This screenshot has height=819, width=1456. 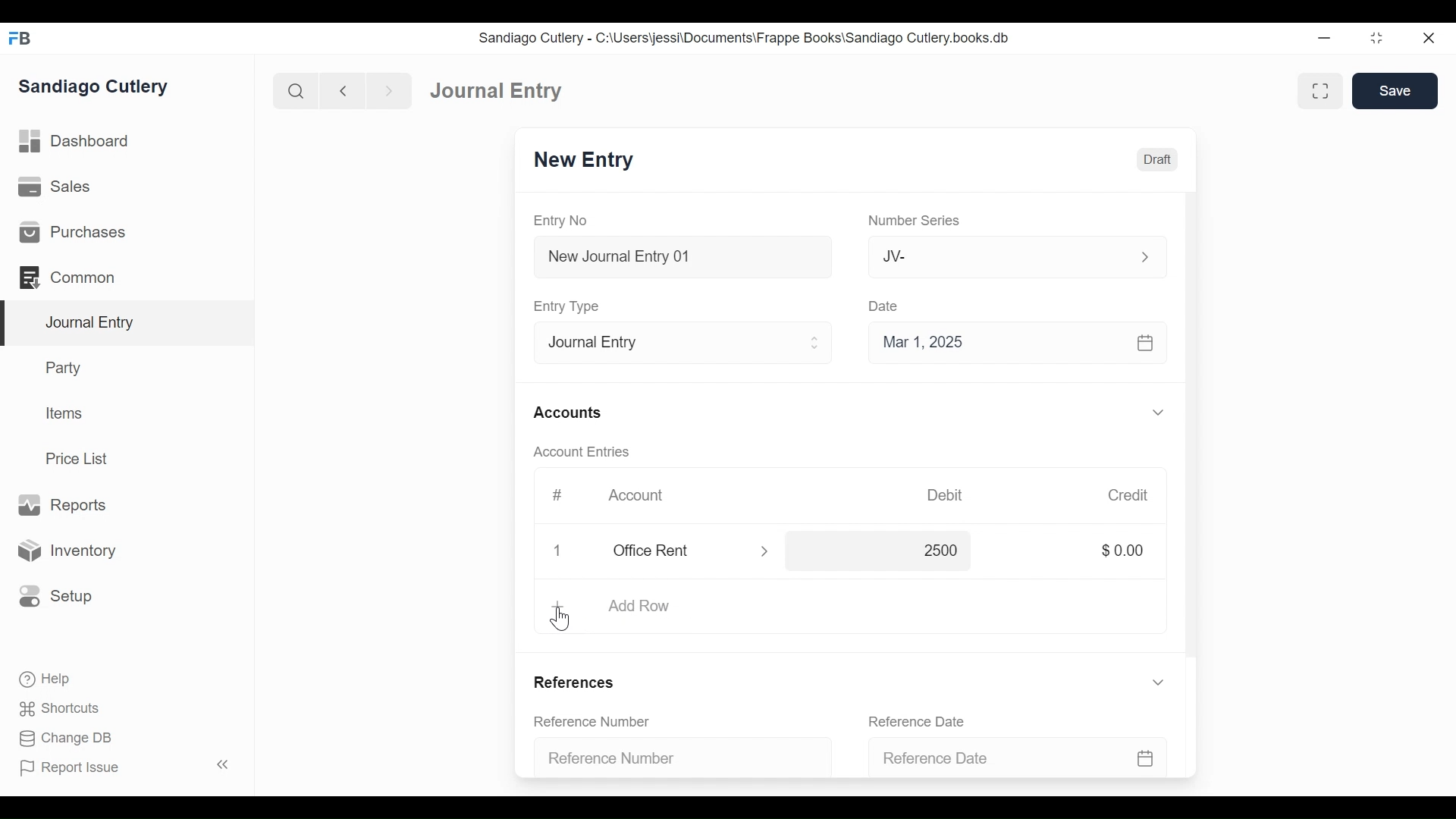 What do you see at coordinates (1018, 341) in the screenshot?
I see `Mar 1, 2025` at bounding box center [1018, 341].